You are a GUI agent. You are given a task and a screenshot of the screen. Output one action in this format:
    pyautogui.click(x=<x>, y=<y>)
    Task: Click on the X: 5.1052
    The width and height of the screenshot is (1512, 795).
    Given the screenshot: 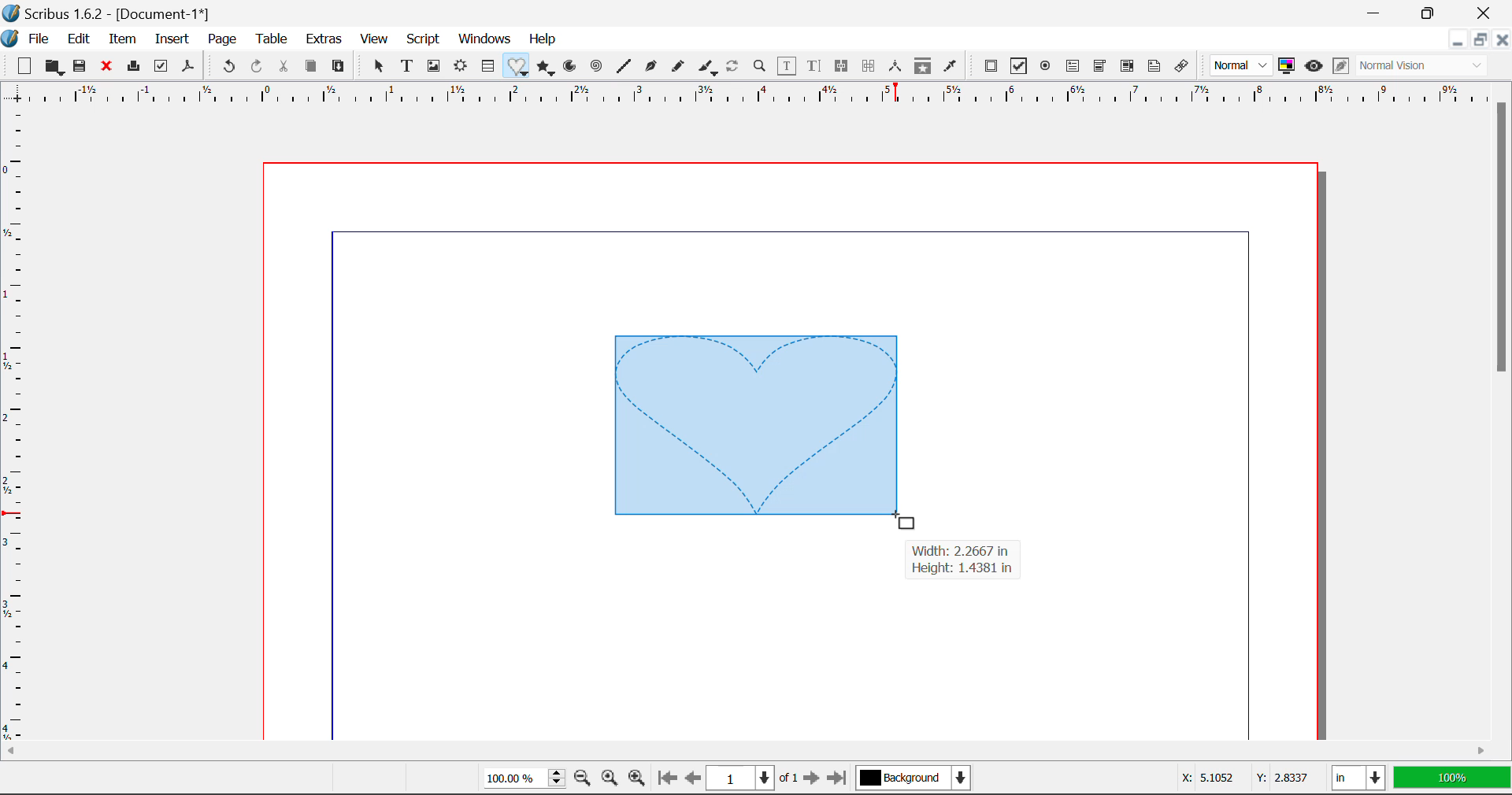 What is the action you would take?
    pyautogui.click(x=1205, y=777)
    